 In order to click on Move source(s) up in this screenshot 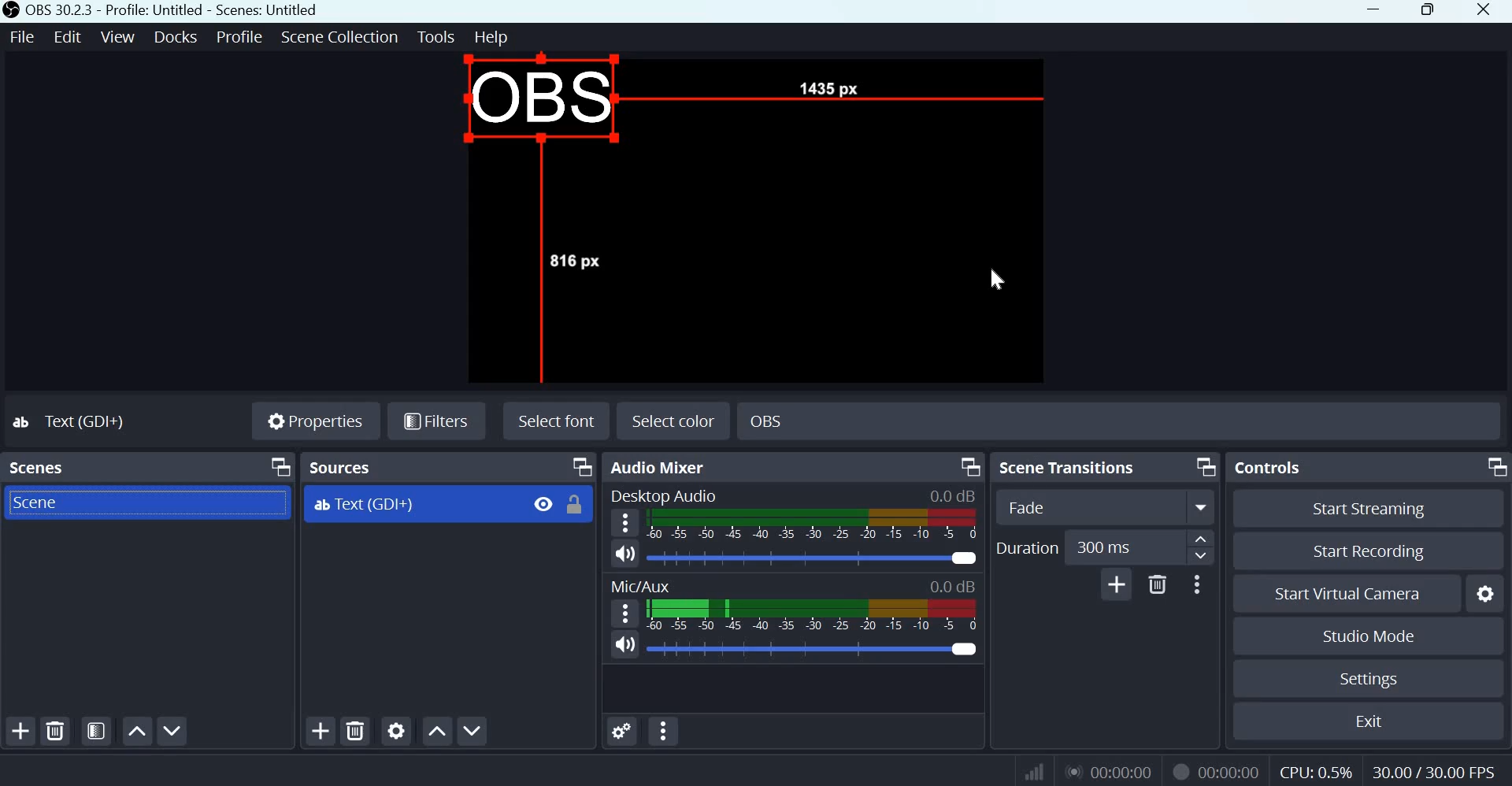, I will do `click(437, 732)`.